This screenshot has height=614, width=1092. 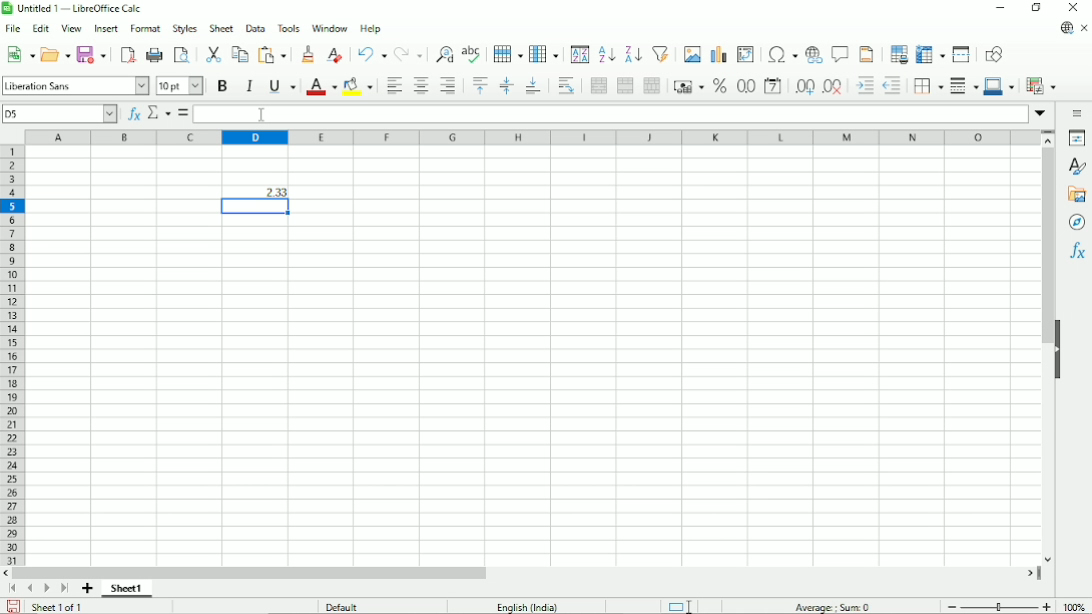 I want to click on Spell check, so click(x=472, y=52).